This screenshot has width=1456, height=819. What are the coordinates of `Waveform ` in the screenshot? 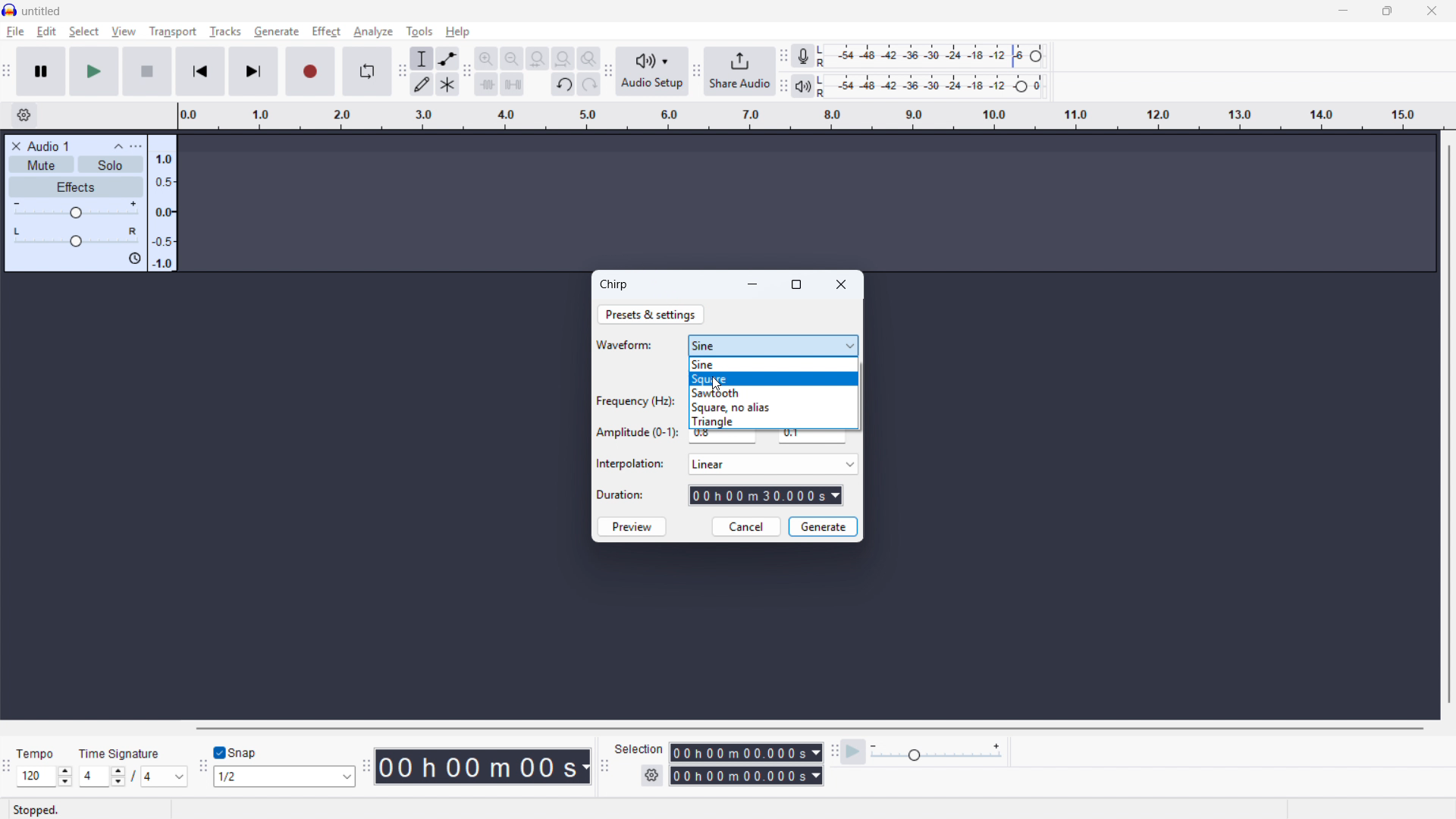 It's located at (773, 346).